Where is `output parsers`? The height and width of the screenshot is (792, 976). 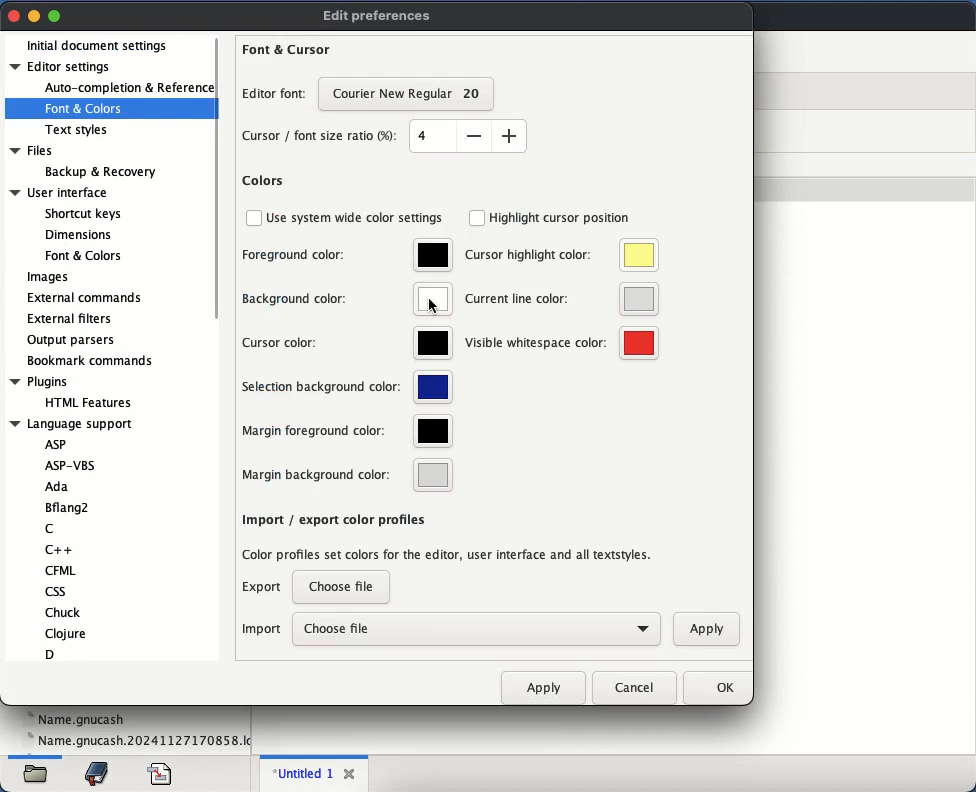
output parsers is located at coordinates (74, 341).